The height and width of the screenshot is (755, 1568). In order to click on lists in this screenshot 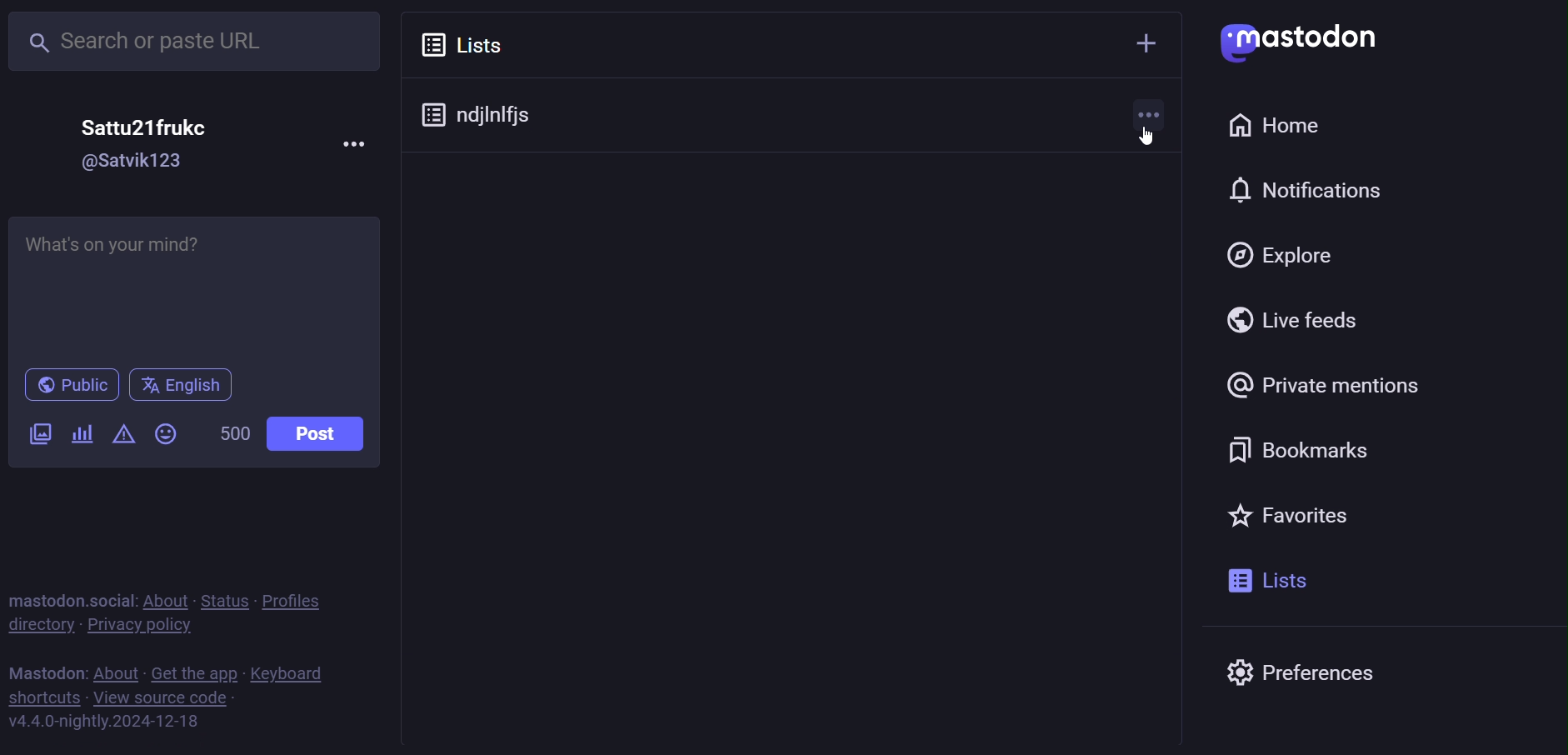, I will do `click(471, 46)`.